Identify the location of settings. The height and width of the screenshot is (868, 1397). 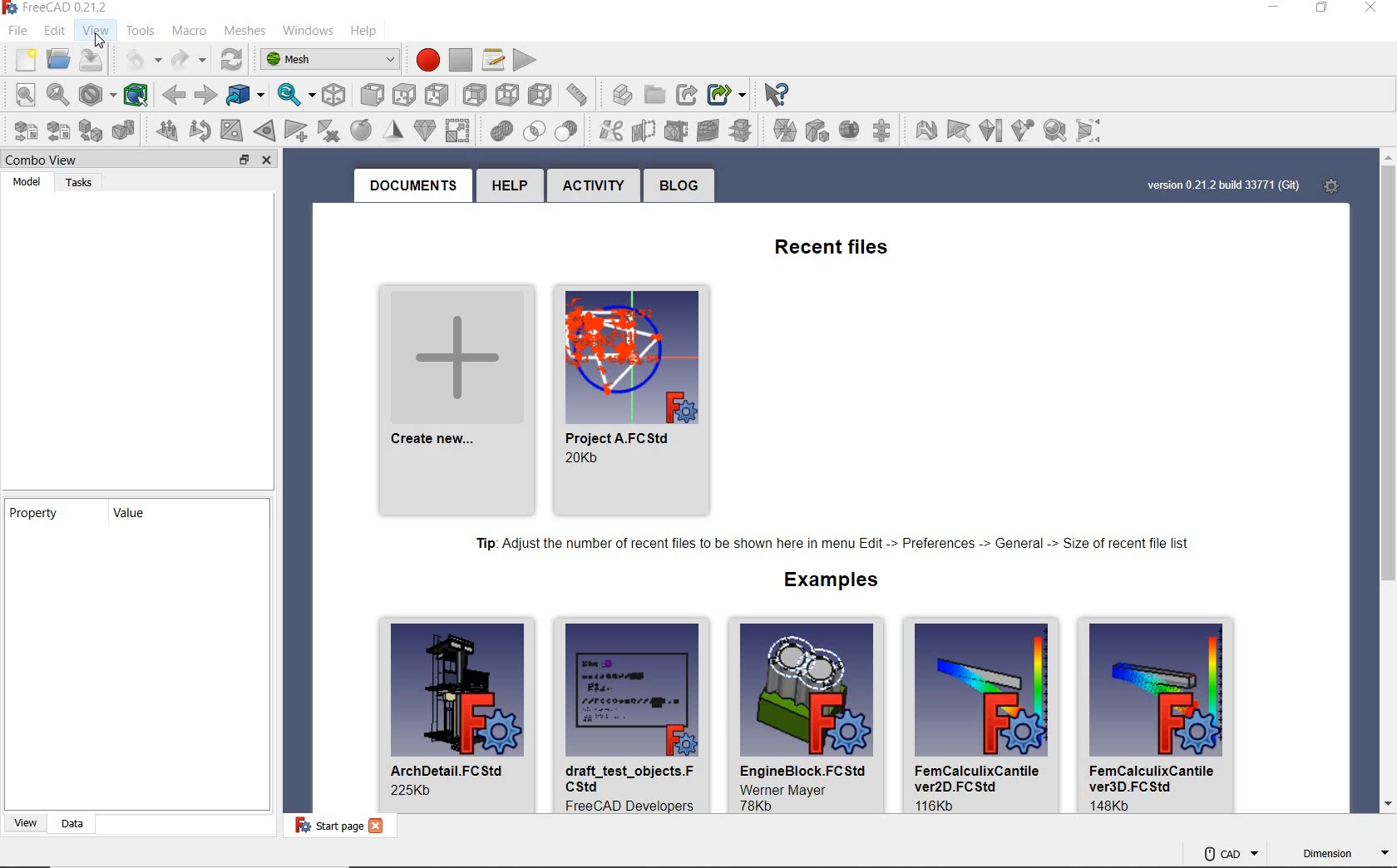
(1334, 185).